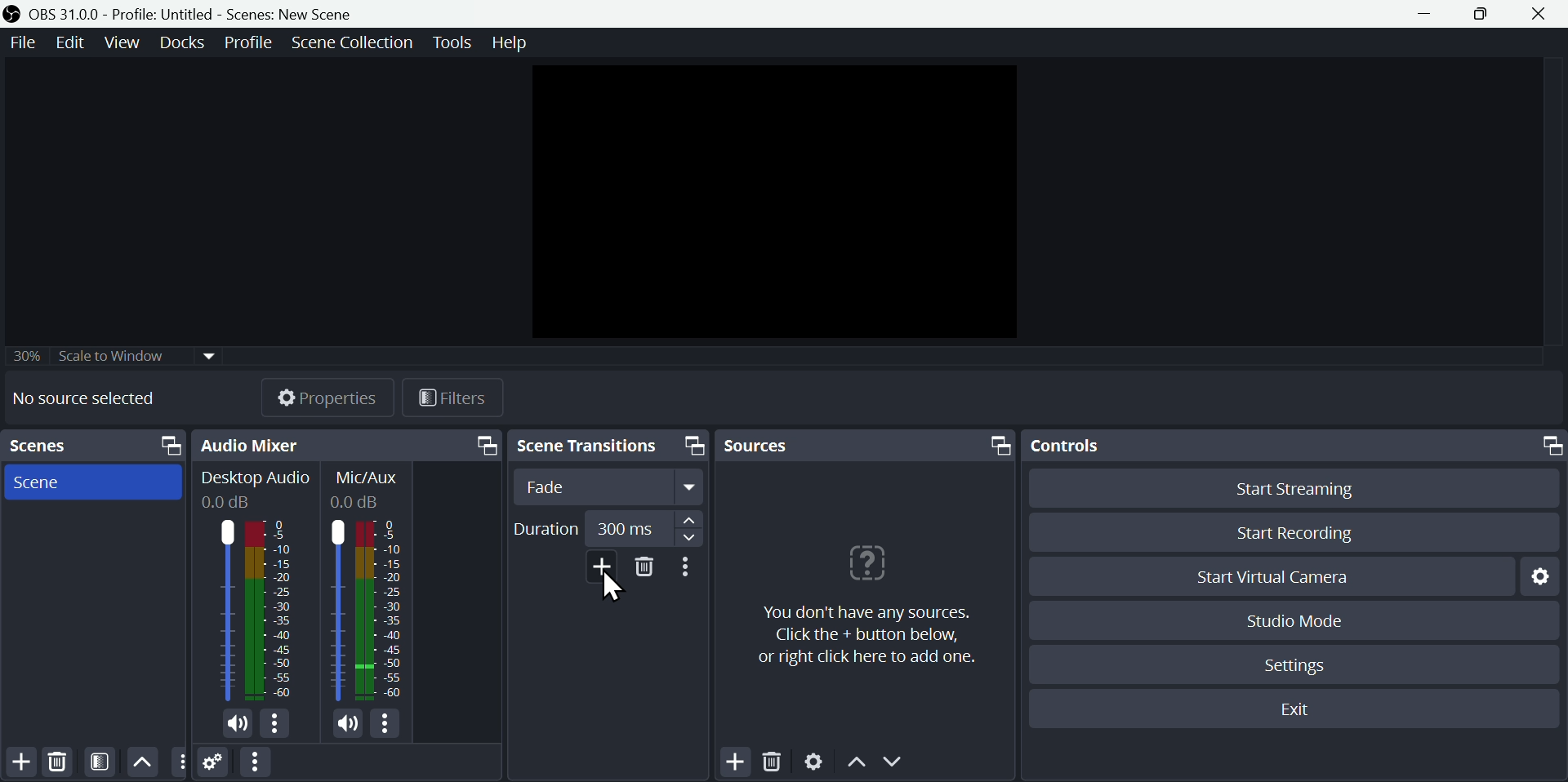  I want to click on Settings, so click(813, 763).